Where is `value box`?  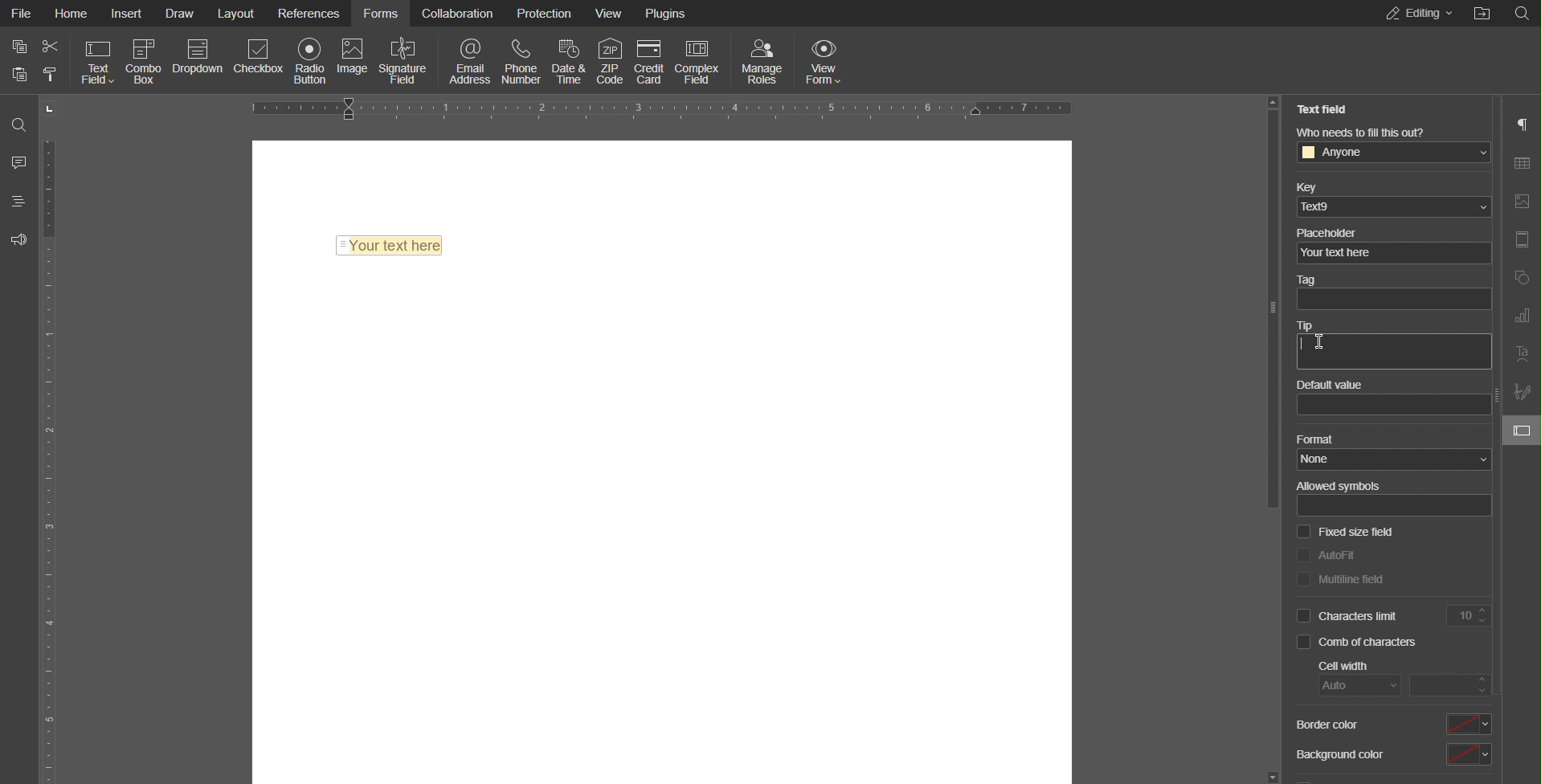 value box is located at coordinates (1395, 404).